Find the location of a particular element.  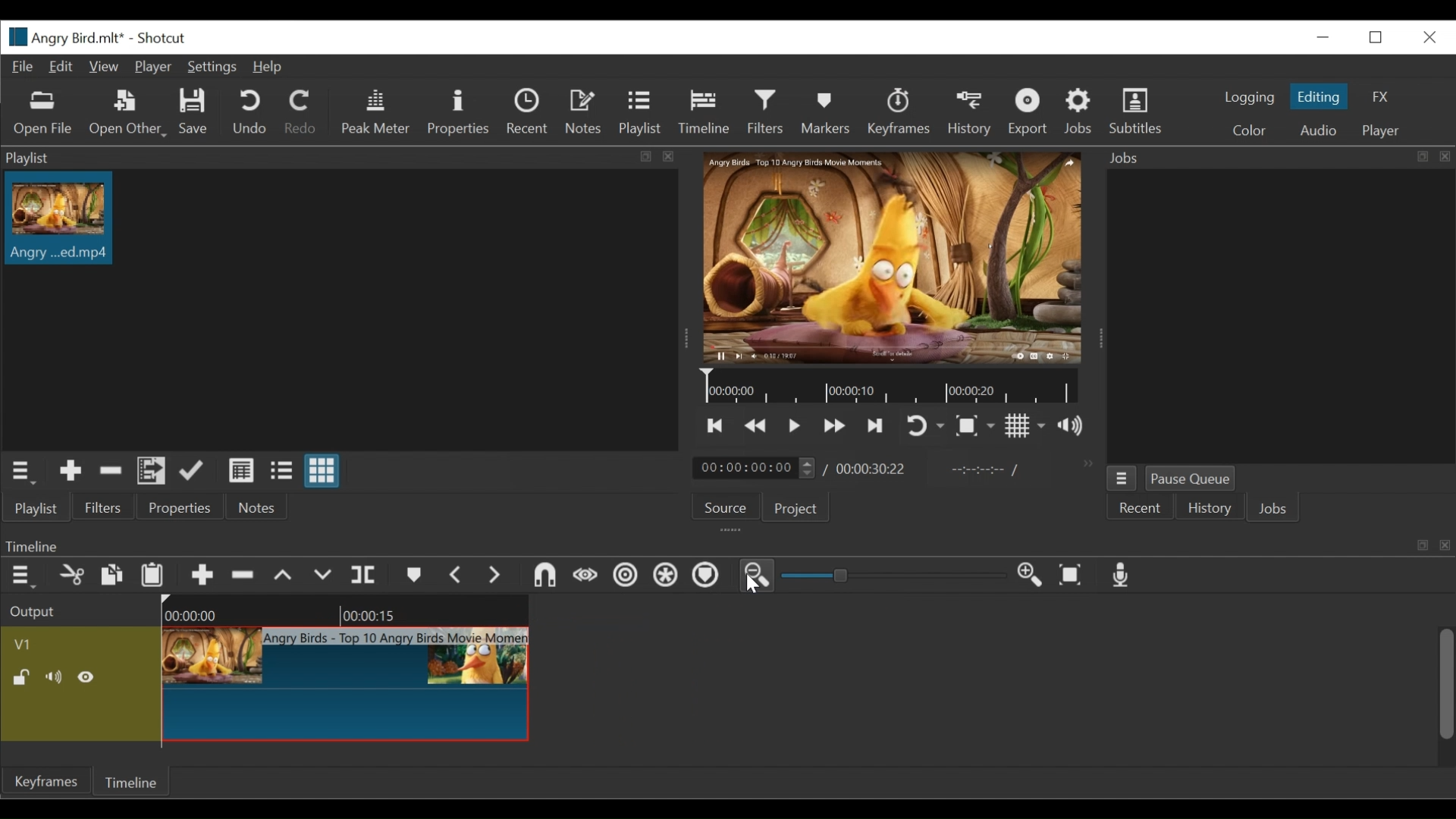

Properties is located at coordinates (460, 112).